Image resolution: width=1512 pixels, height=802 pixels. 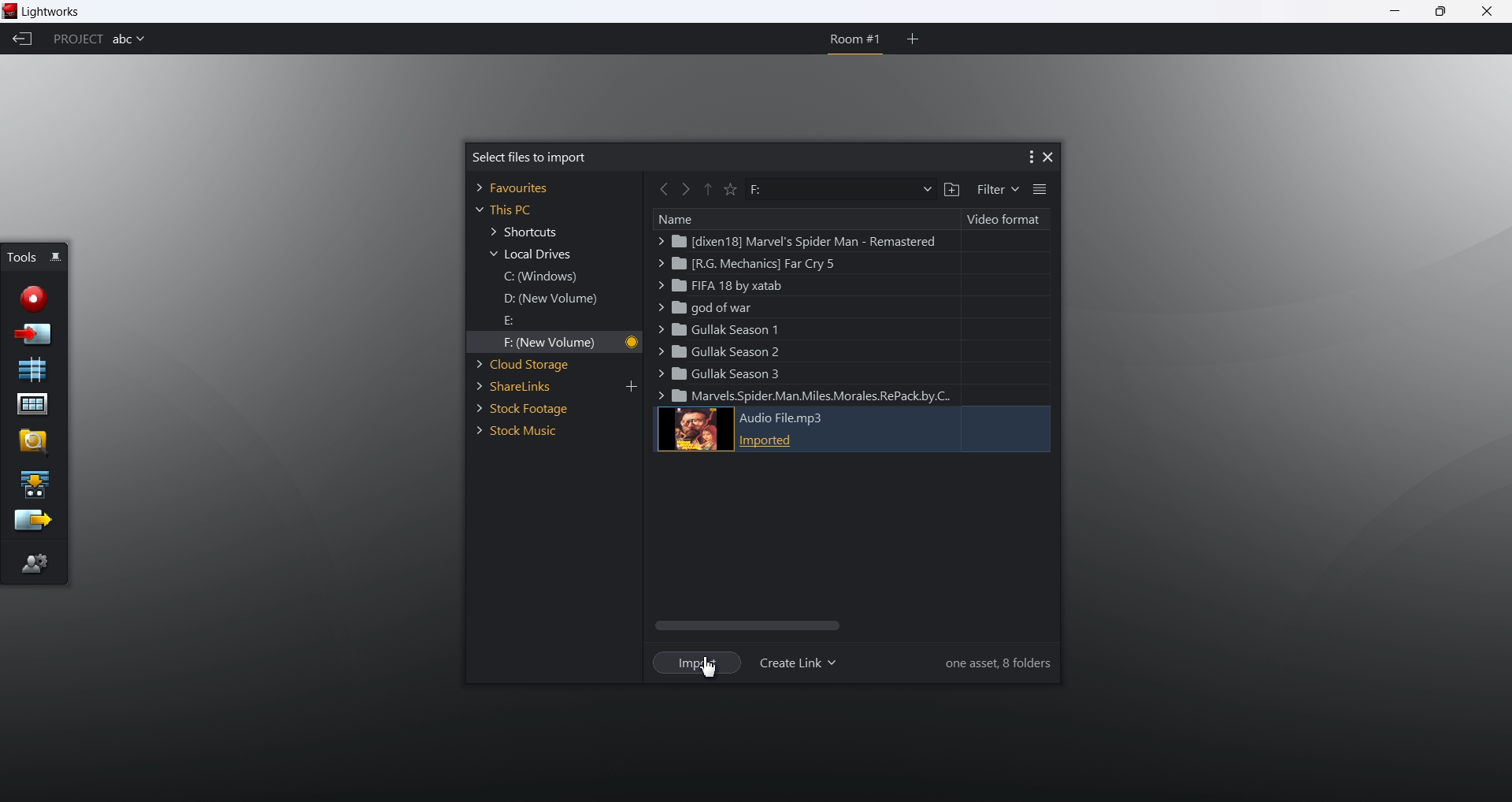 I want to click on record, so click(x=33, y=295).